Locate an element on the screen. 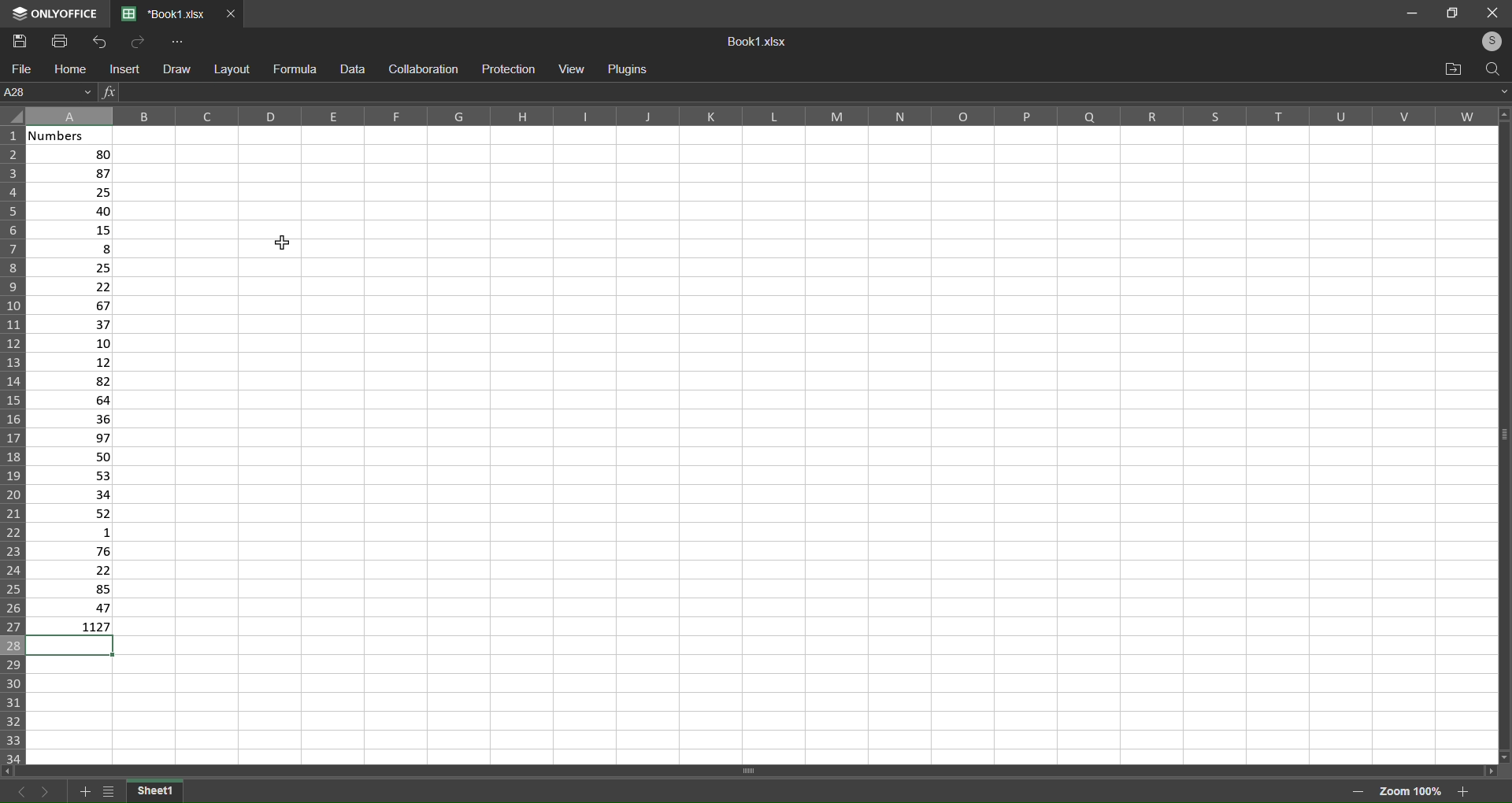  current sheet is located at coordinates (159, 791).